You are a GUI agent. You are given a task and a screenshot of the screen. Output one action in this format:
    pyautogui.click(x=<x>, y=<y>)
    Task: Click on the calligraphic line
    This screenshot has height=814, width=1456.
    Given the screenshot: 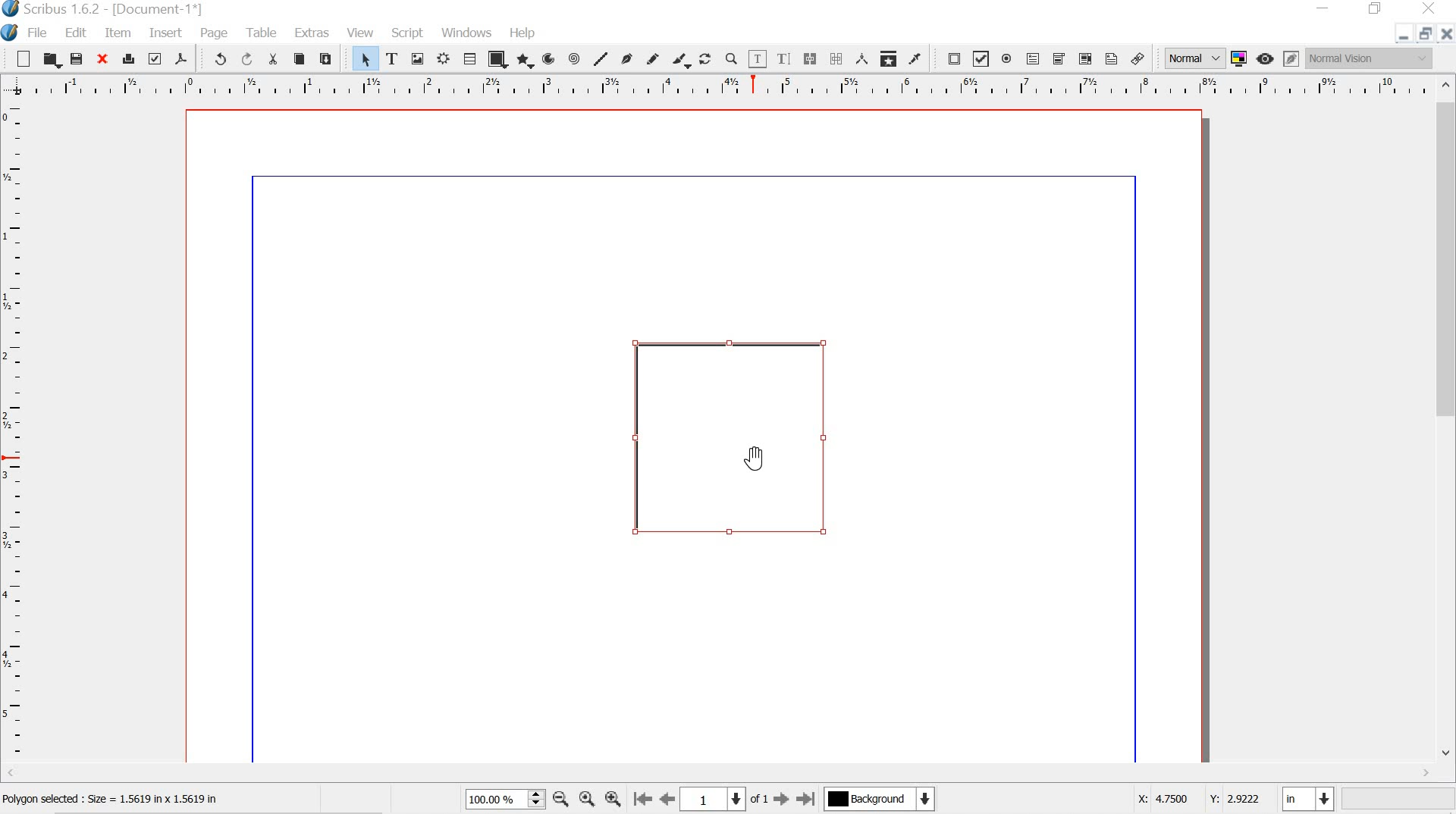 What is the action you would take?
    pyautogui.click(x=682, y=58)
    